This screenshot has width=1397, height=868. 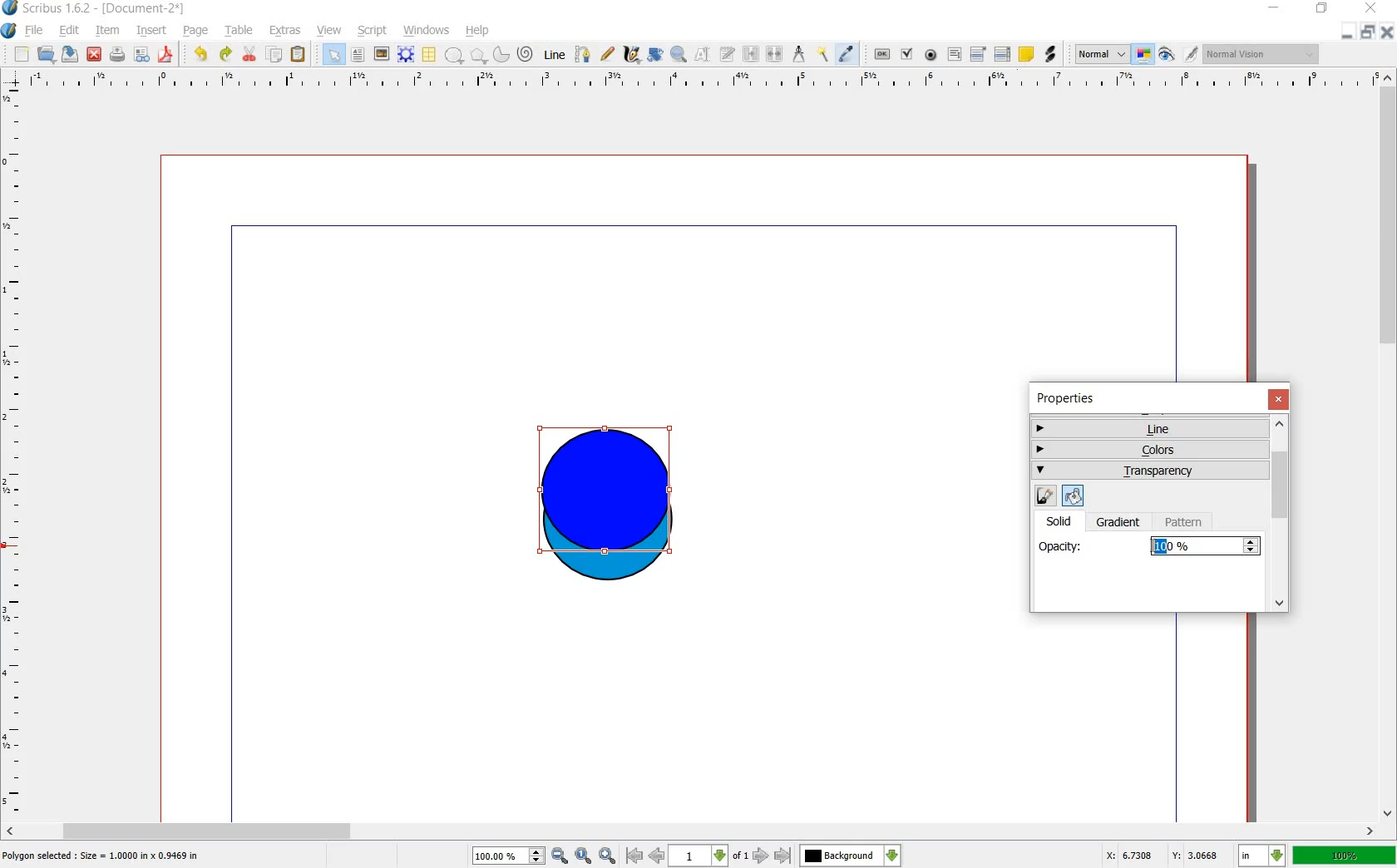 What do you see at coordinates (1274, 7) in the screenshot?
I see `minimize` at bounding box center [1274, 7].